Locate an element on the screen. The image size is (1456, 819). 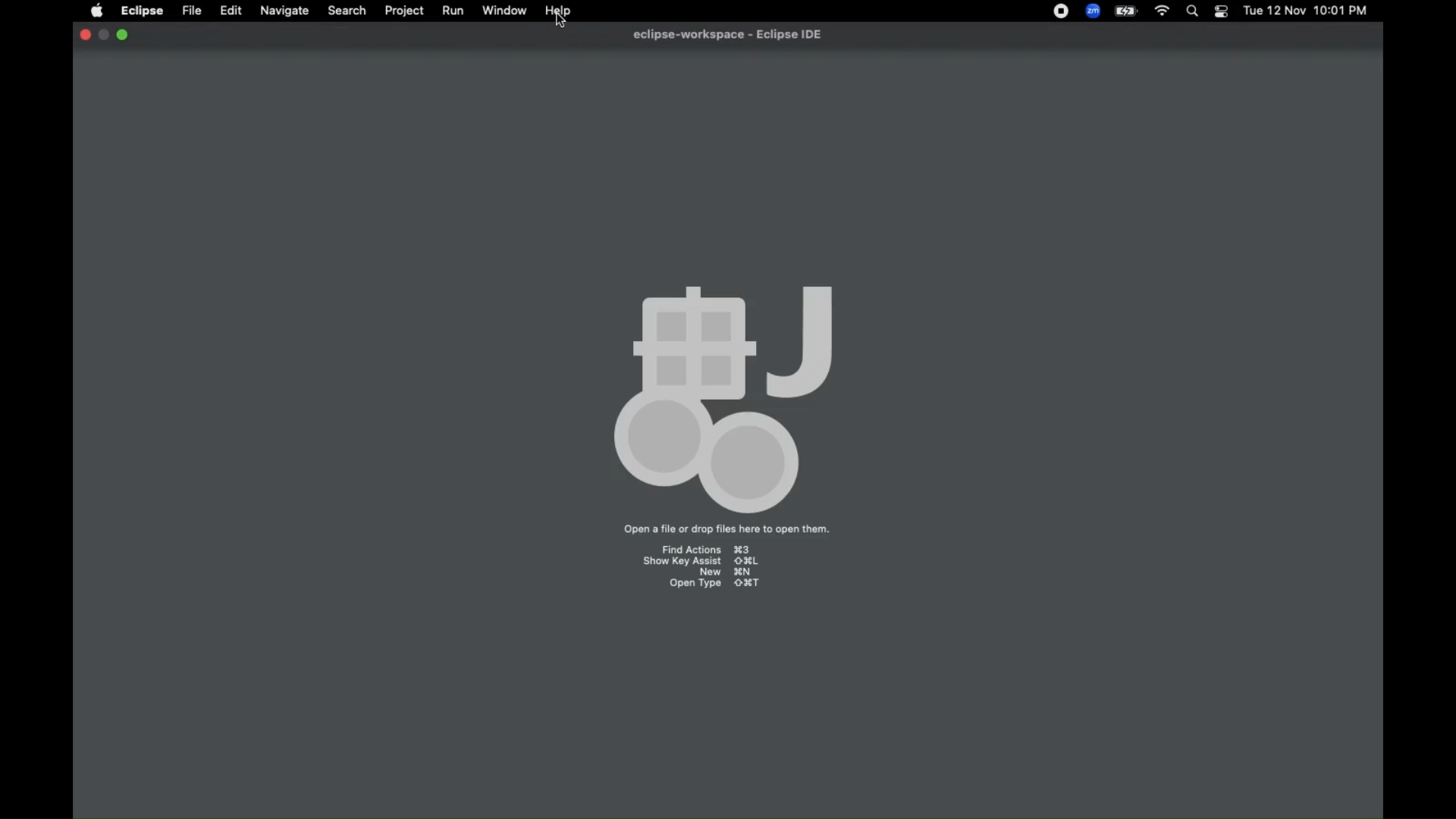
find actions x3 is located at coordinates (704, 547).